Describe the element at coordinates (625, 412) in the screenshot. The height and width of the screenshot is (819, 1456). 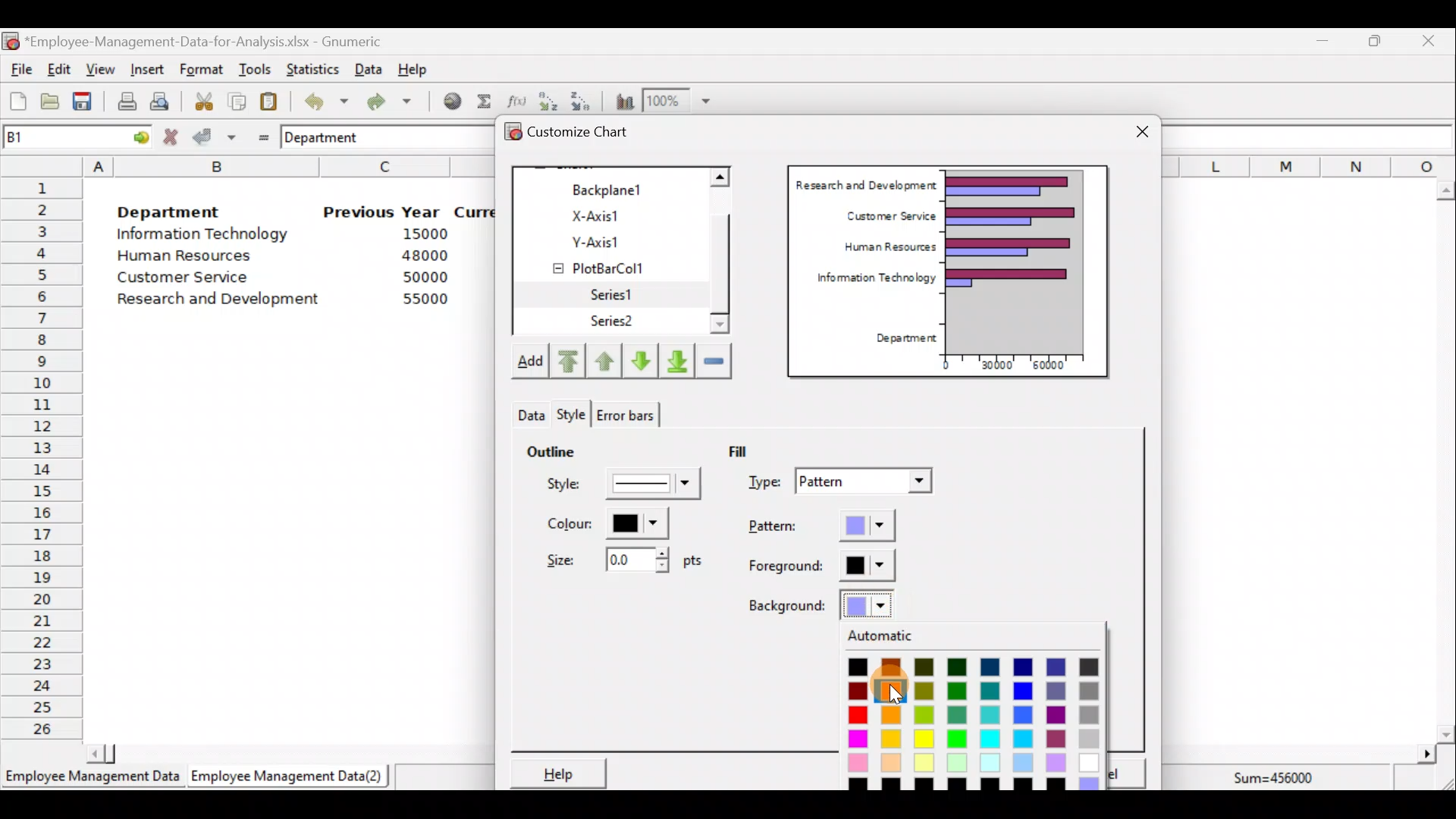
I see `Error bars` at that location.